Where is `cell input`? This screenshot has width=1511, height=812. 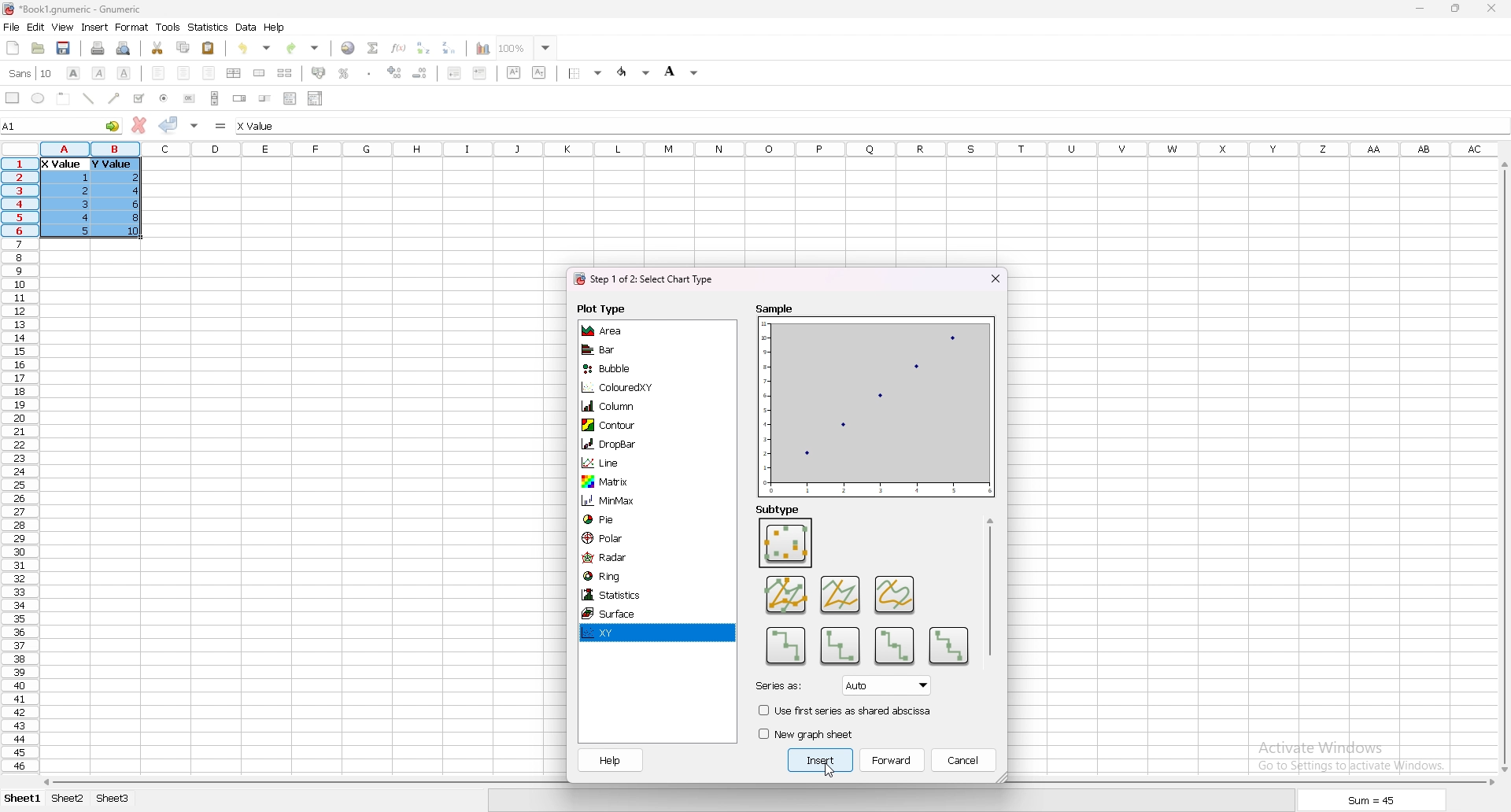
cell input is located at coordinates (272, 126).